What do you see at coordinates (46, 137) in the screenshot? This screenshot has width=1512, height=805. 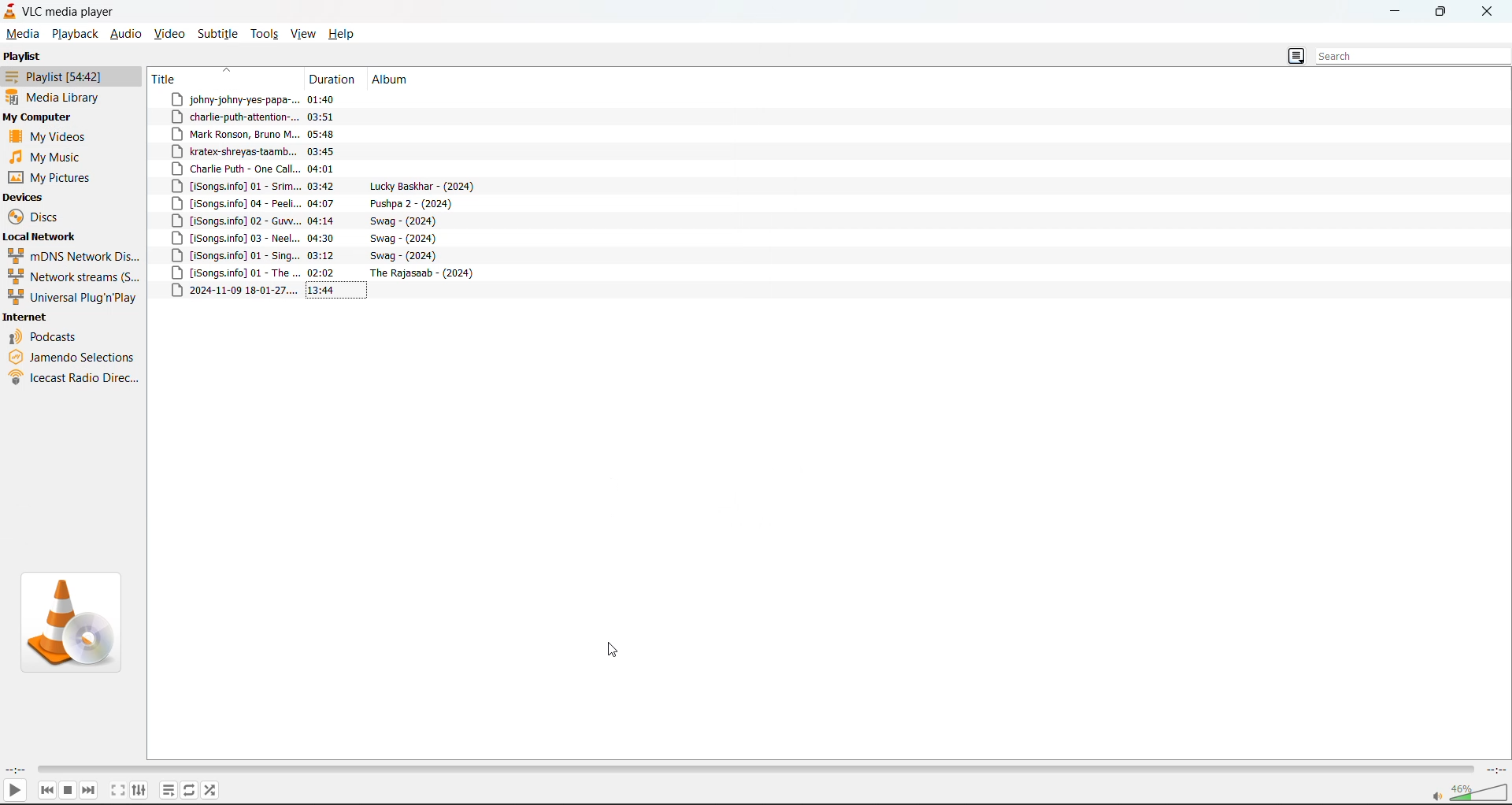 I see `videos` at bounding box center [46, 137].